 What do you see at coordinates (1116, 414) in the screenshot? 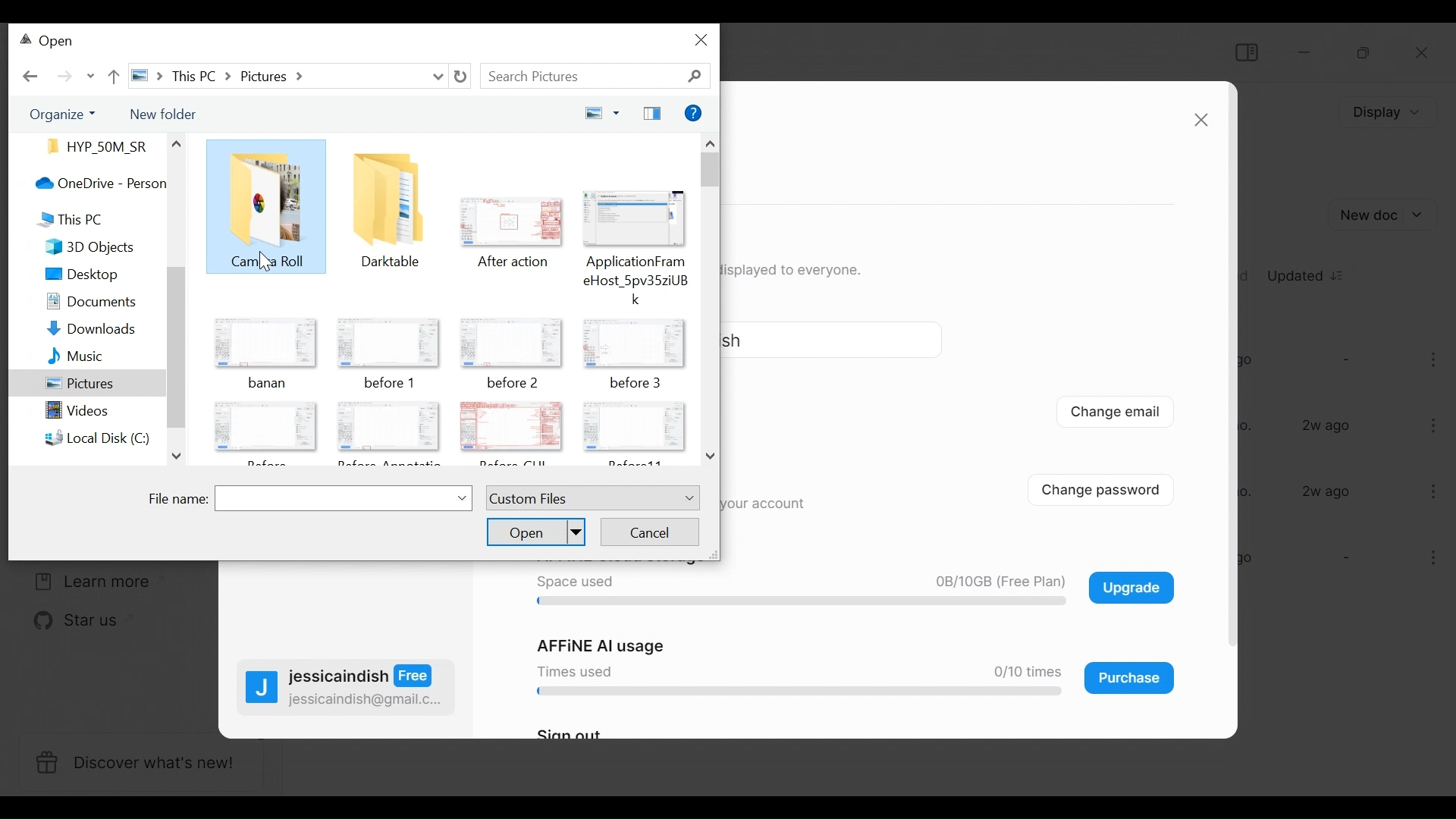
I see `Change email` at bounding box center [1116, 414].